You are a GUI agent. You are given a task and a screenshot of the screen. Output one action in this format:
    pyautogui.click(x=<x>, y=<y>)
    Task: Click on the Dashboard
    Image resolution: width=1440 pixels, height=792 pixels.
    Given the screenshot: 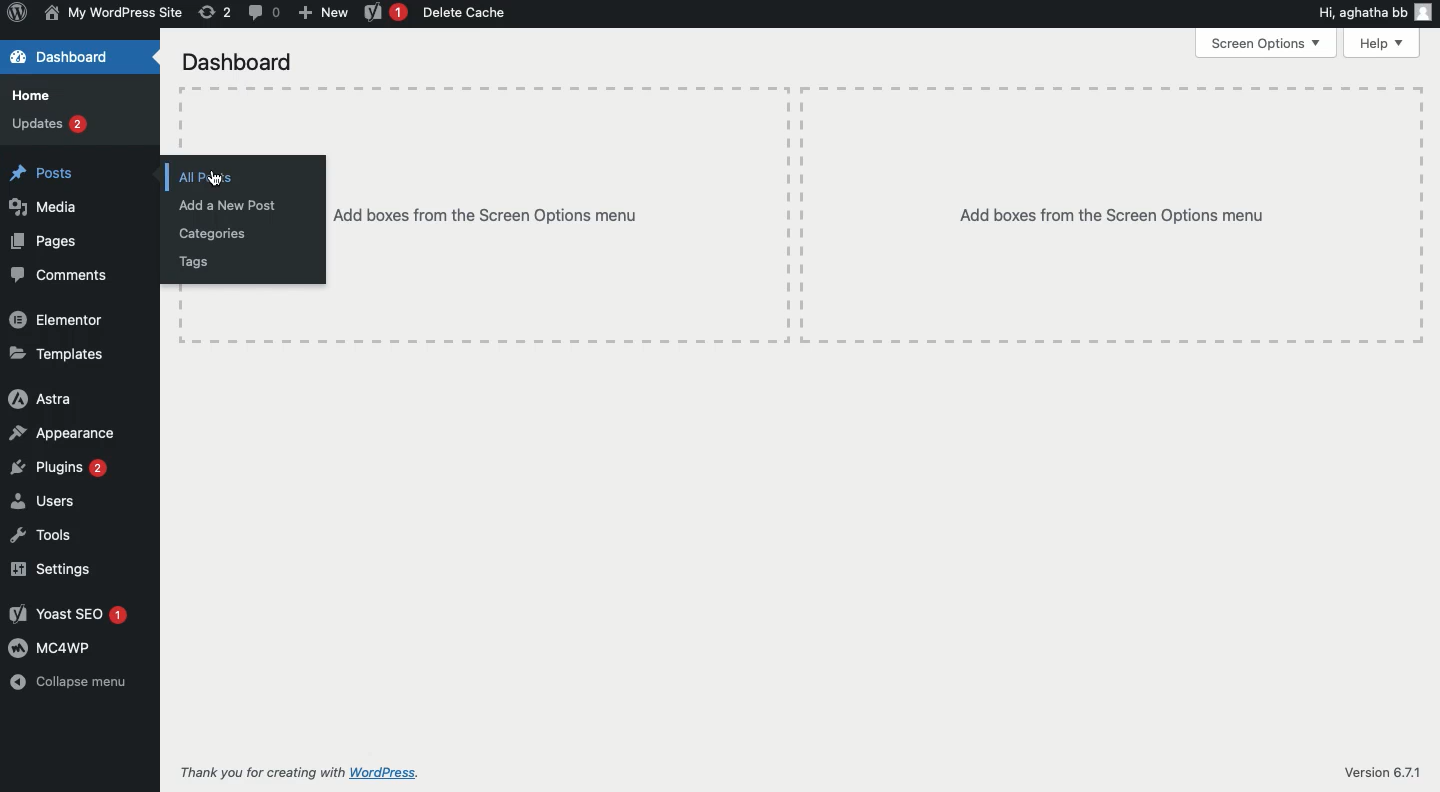 What is the action you would take?
    pyautogui.click(x=80, y=57)
    